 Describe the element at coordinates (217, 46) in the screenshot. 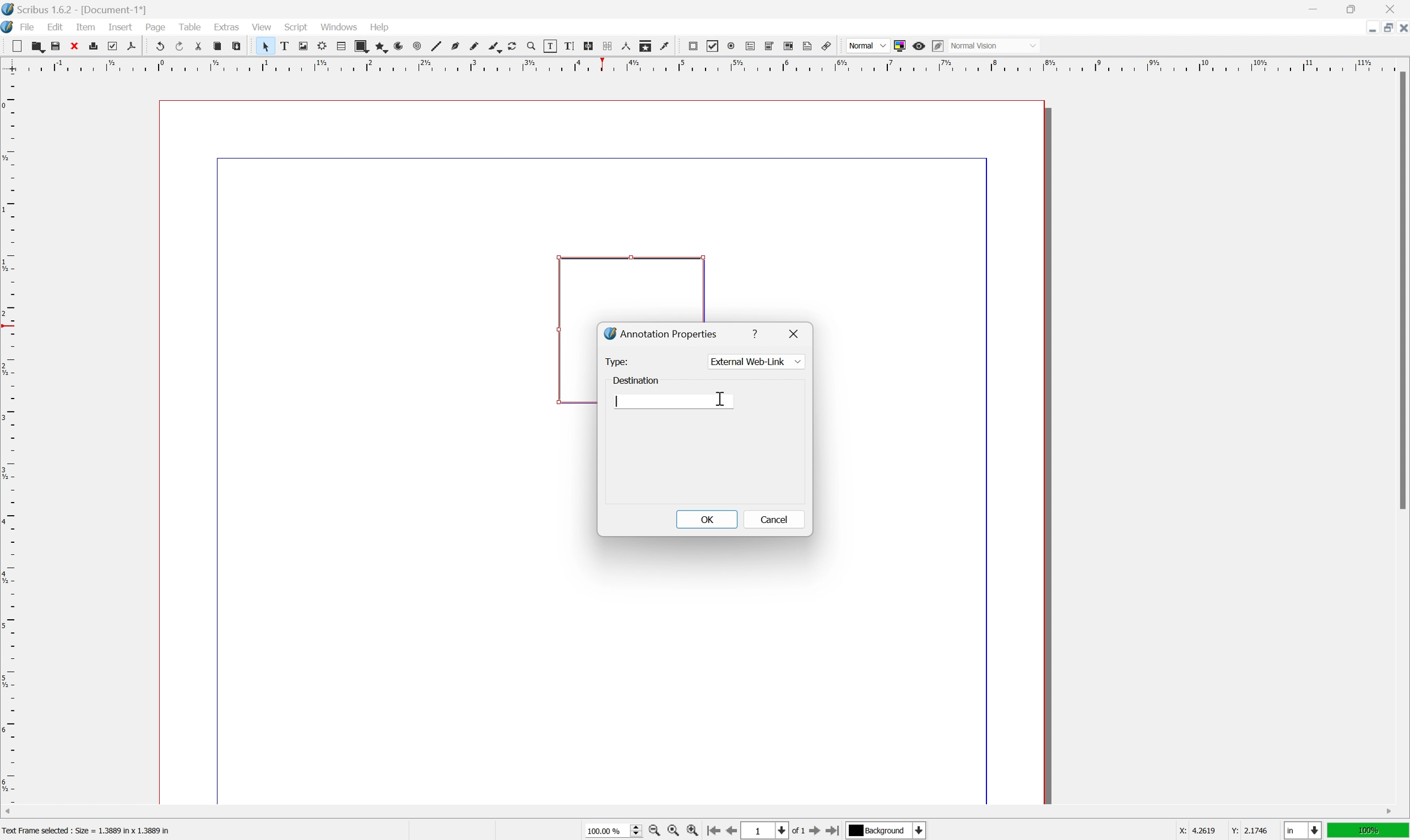

I see `copy` at that location.